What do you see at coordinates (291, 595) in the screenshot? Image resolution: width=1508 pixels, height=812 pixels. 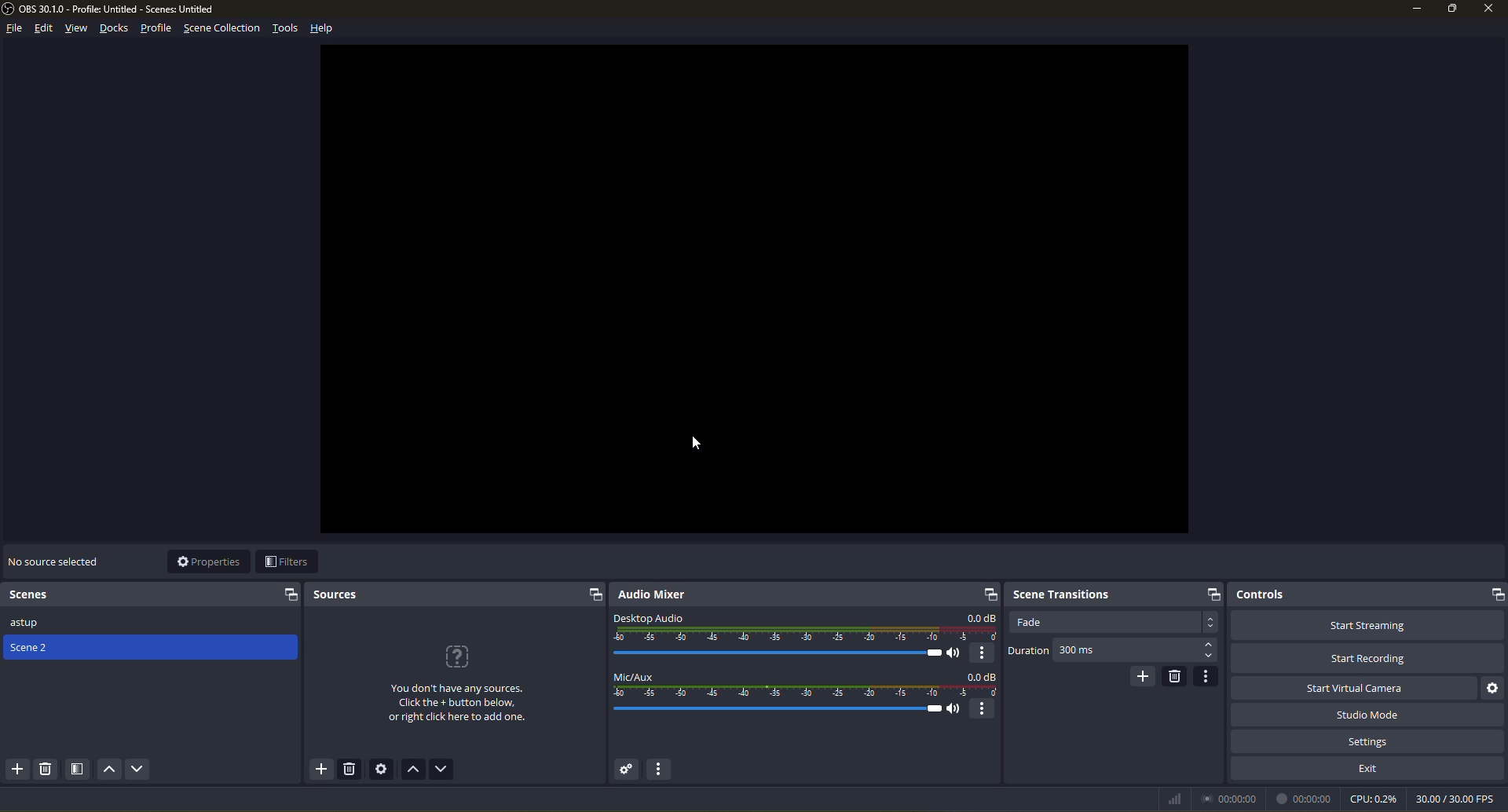 I see `expand` at bounding box center [291, 595].